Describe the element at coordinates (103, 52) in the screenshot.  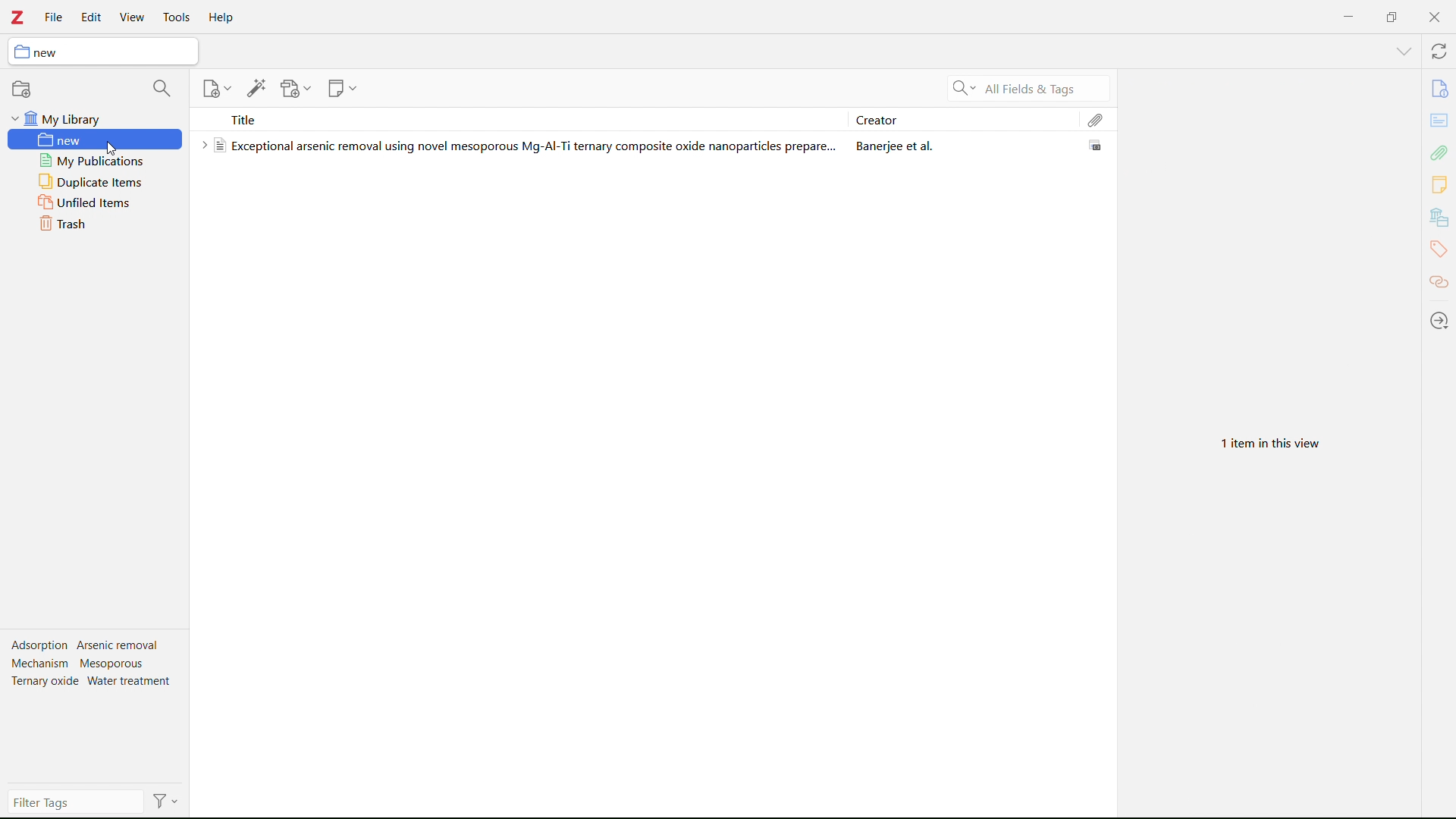
I see `selected library` at that location.